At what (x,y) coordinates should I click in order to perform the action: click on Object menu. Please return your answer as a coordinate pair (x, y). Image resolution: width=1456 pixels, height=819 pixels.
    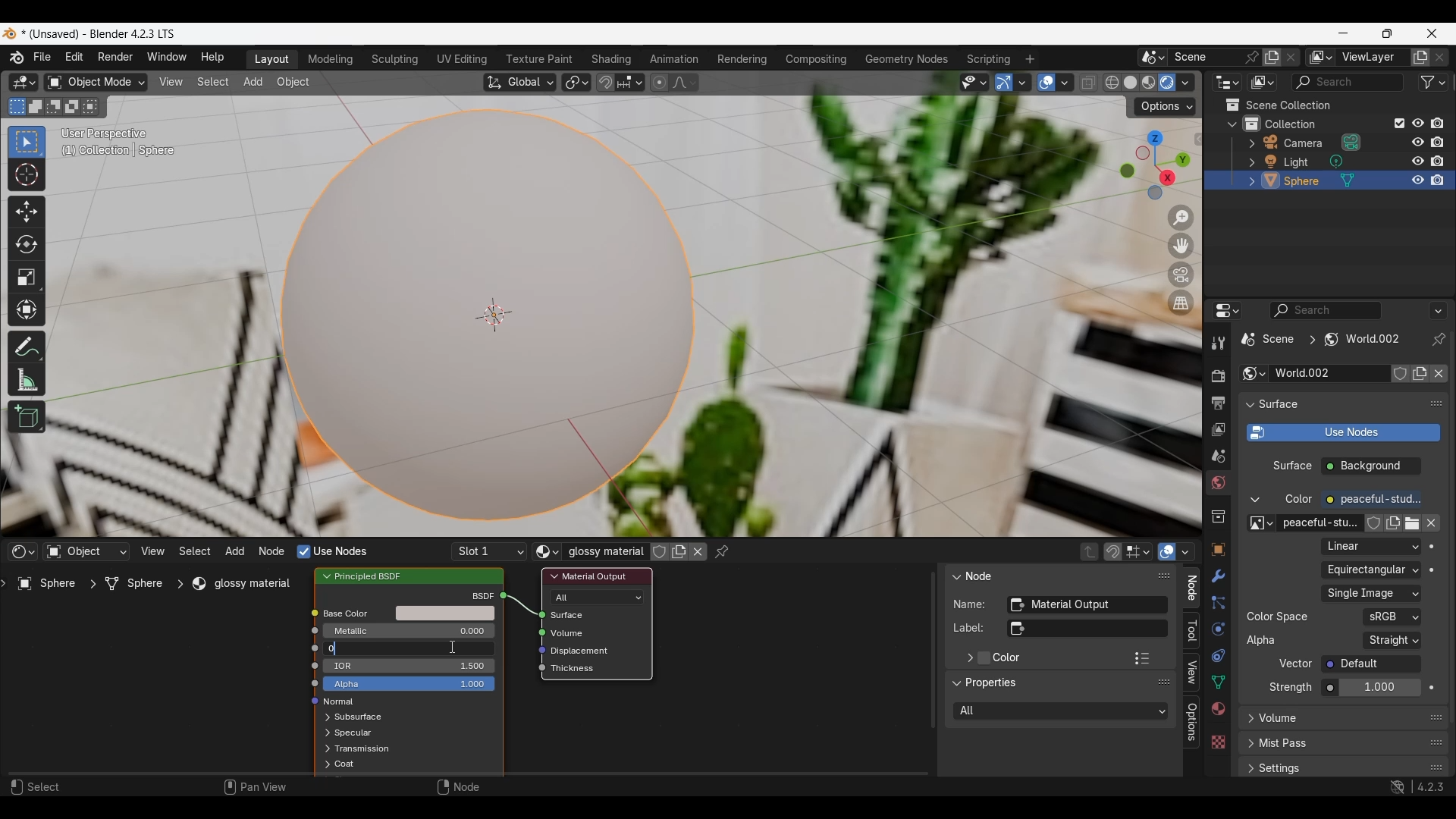
    Looking at the image, I should click on (293, 83).